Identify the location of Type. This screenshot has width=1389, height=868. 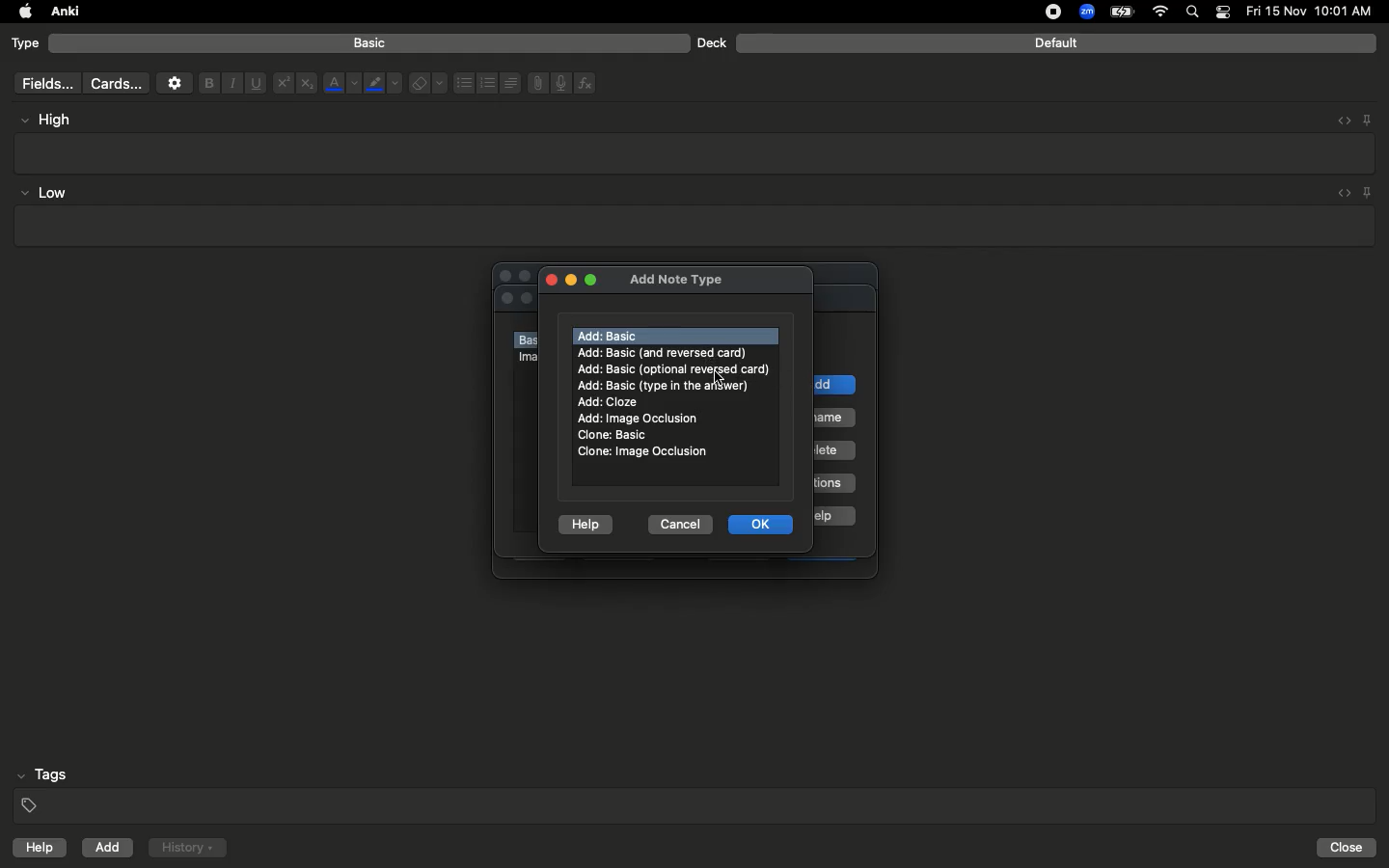
(26, 44).